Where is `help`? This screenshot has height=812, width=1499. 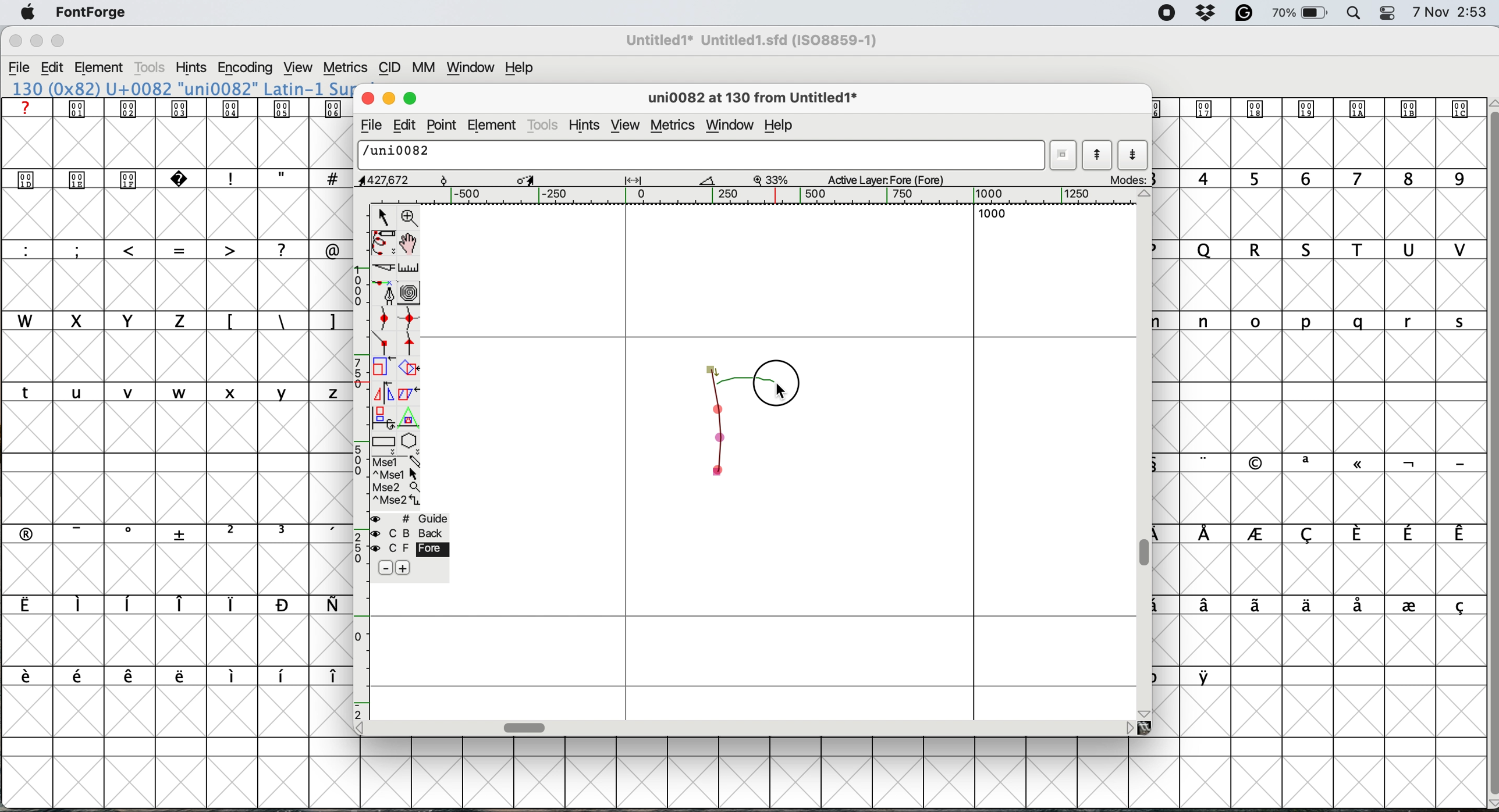
help is located at coordinates (517, 69).